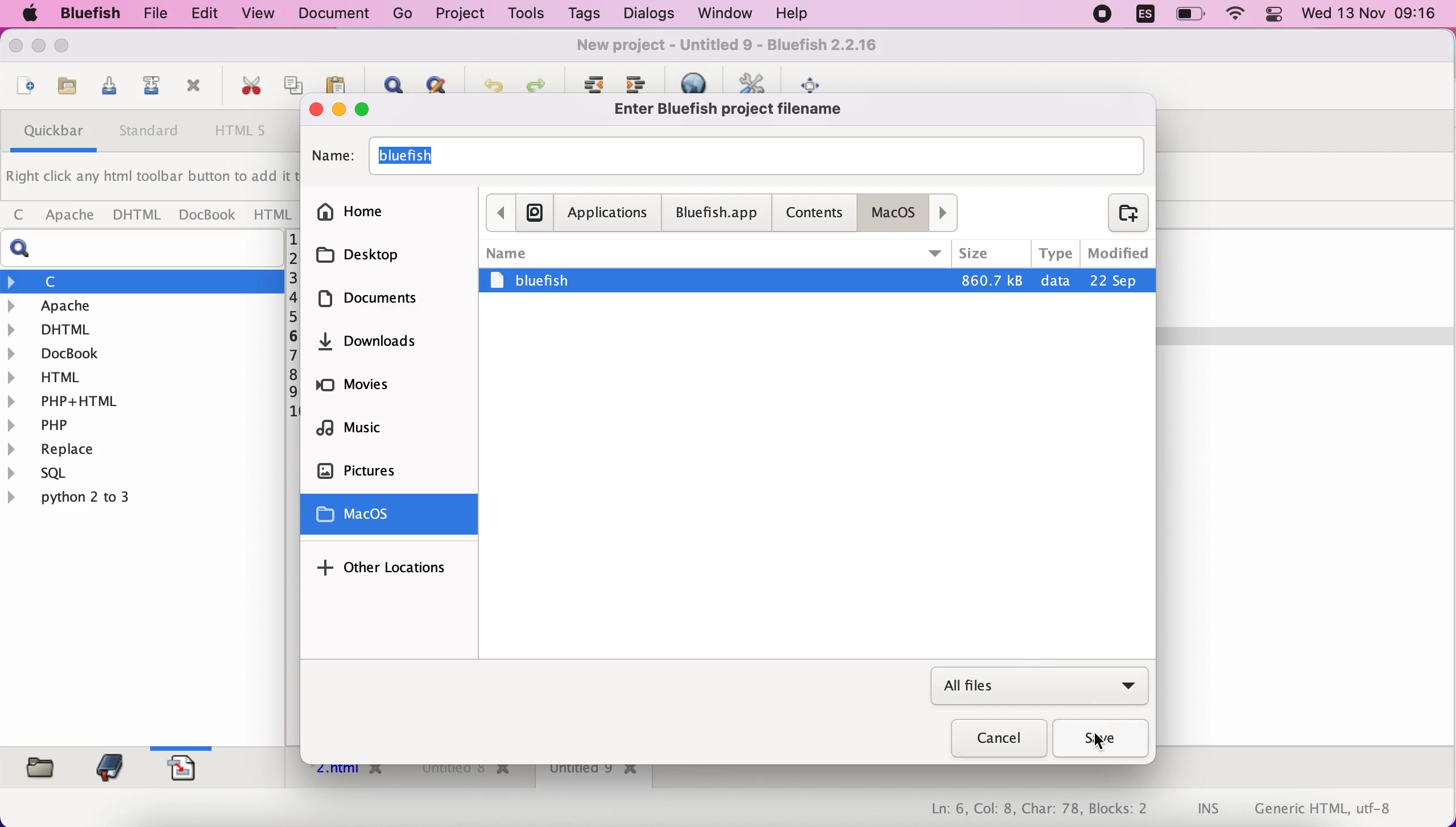 The image size is (1456, 827). What do you see at coordinates (148, 89) in the screenshot?
I see `save file as` at bounding box center [148, 89].